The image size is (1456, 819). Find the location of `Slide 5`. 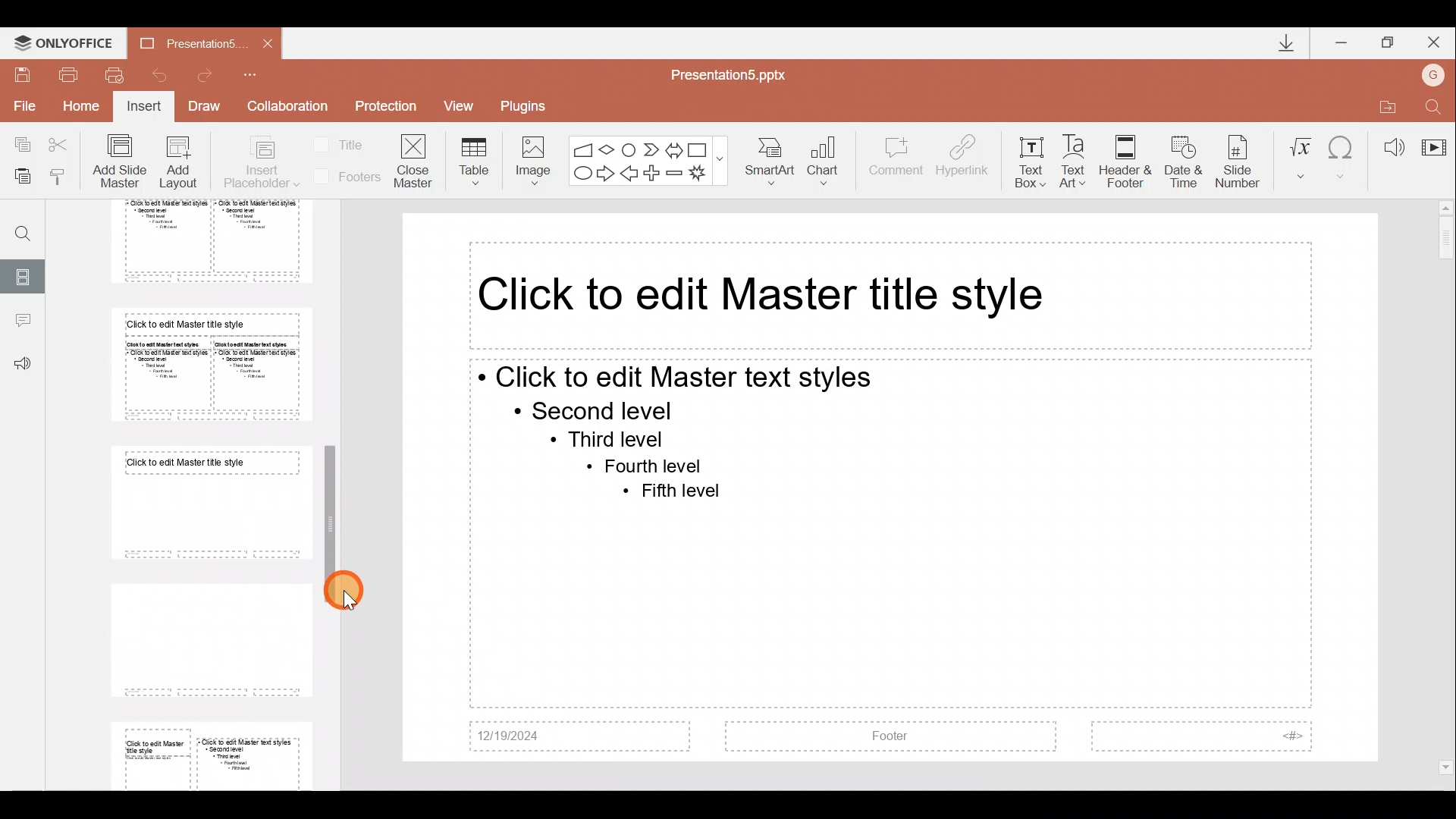

Slide 5 is located at coordinates (199, 242).